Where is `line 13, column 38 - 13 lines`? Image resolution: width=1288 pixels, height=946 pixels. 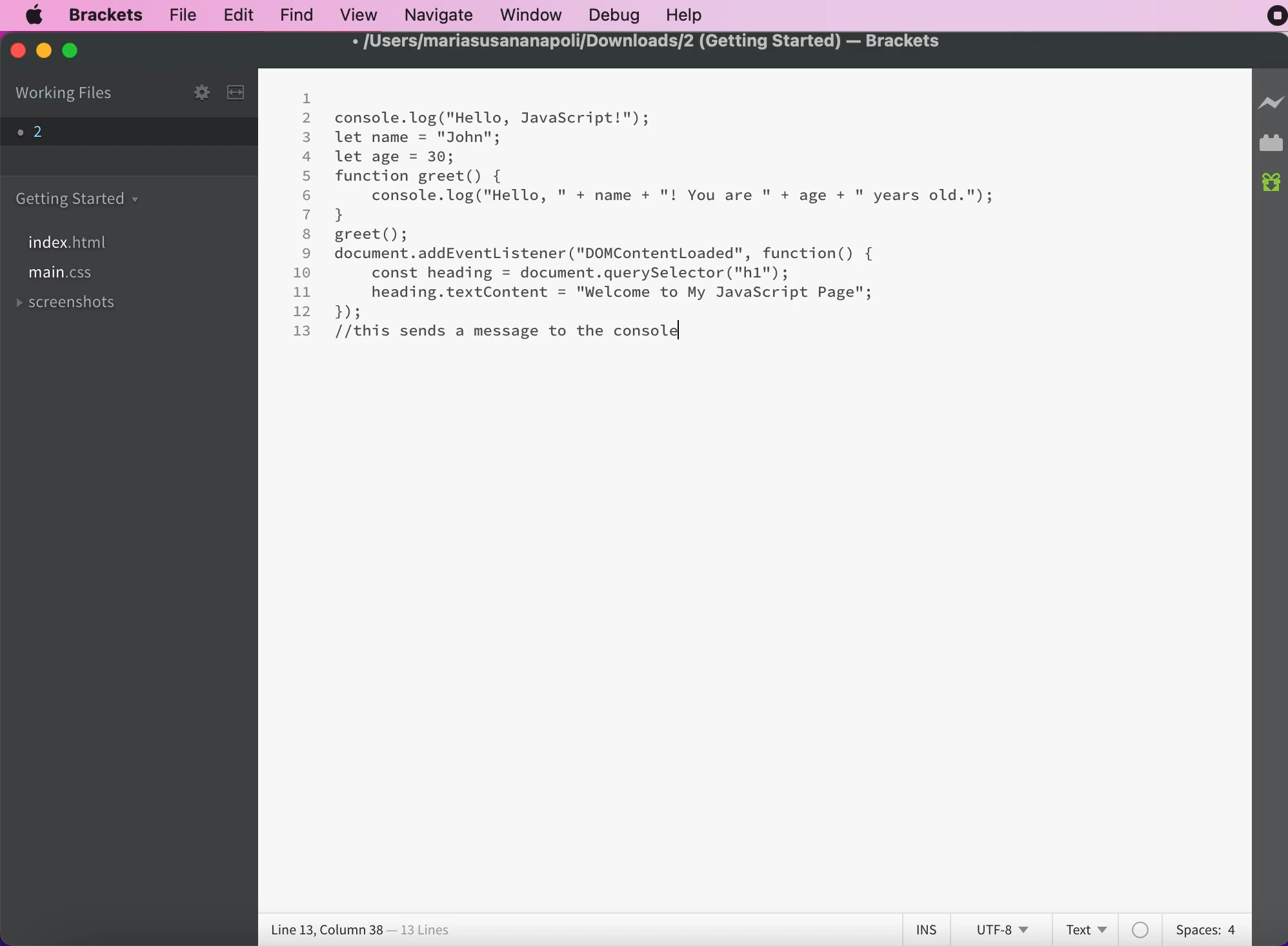 line 13, column 38 - 13 lines is located at coordinates (356, 929).